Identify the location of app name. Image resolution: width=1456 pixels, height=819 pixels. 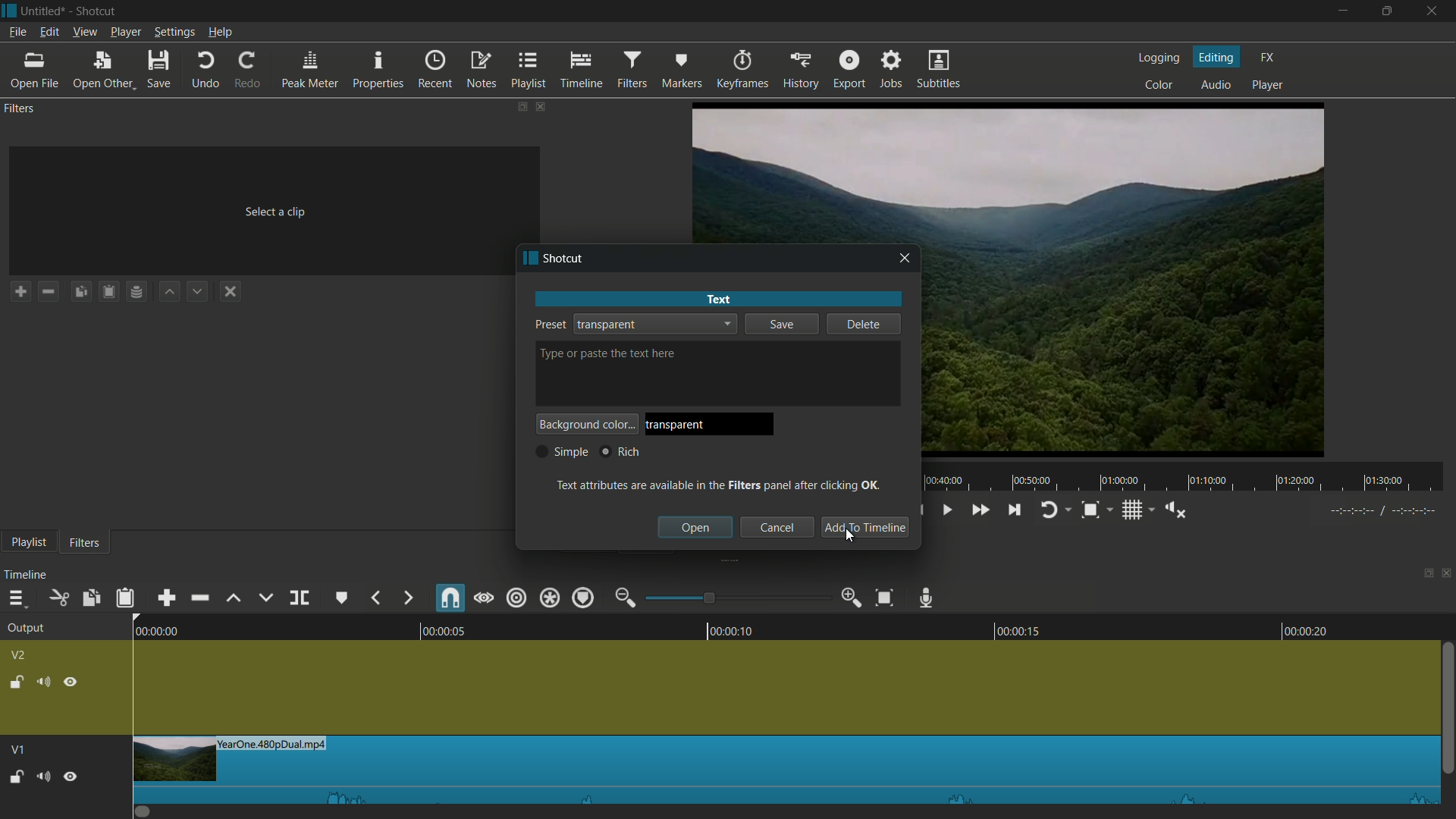
(566, 259).